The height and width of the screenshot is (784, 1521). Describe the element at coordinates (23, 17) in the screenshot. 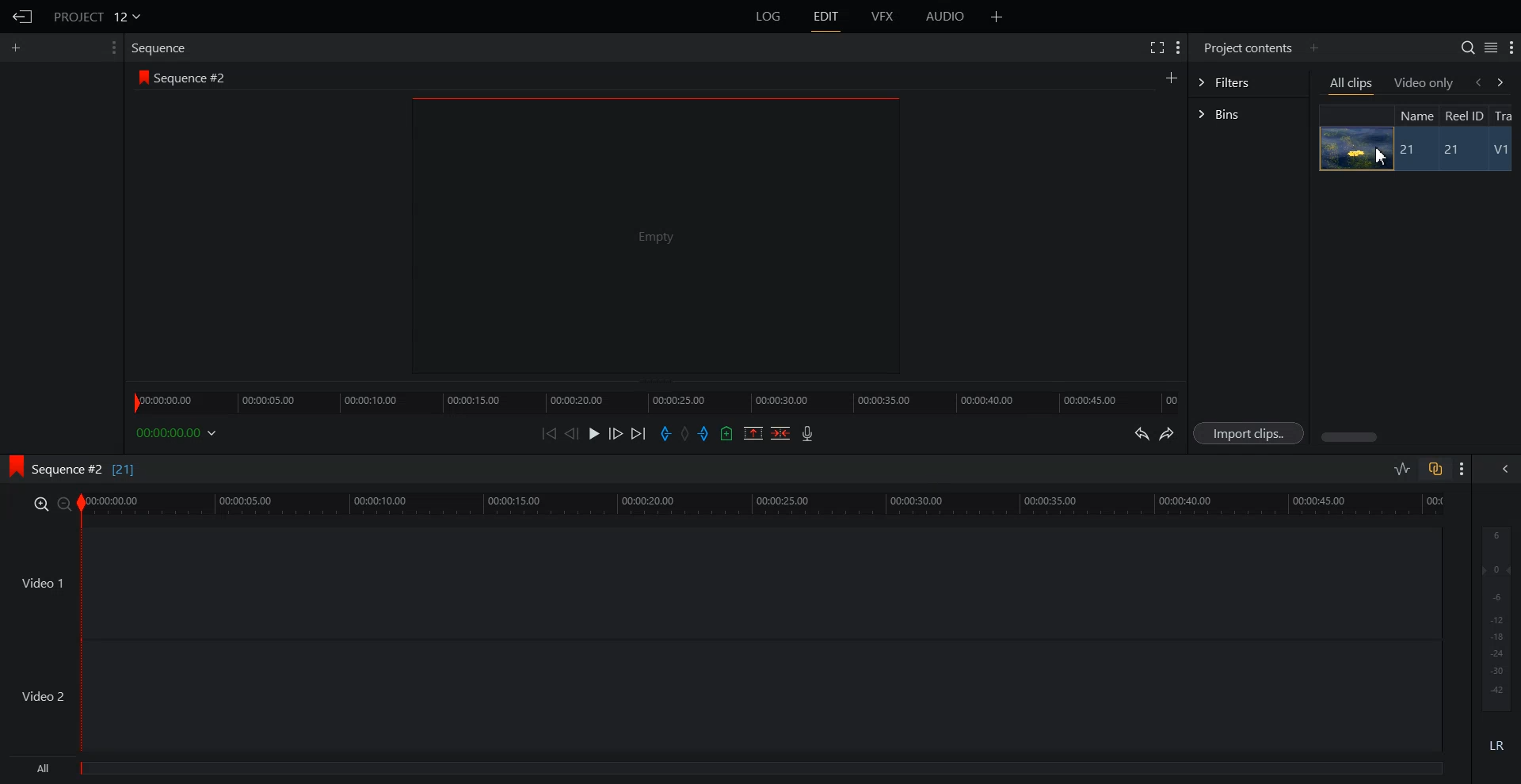

I see `Go Back` at that location.